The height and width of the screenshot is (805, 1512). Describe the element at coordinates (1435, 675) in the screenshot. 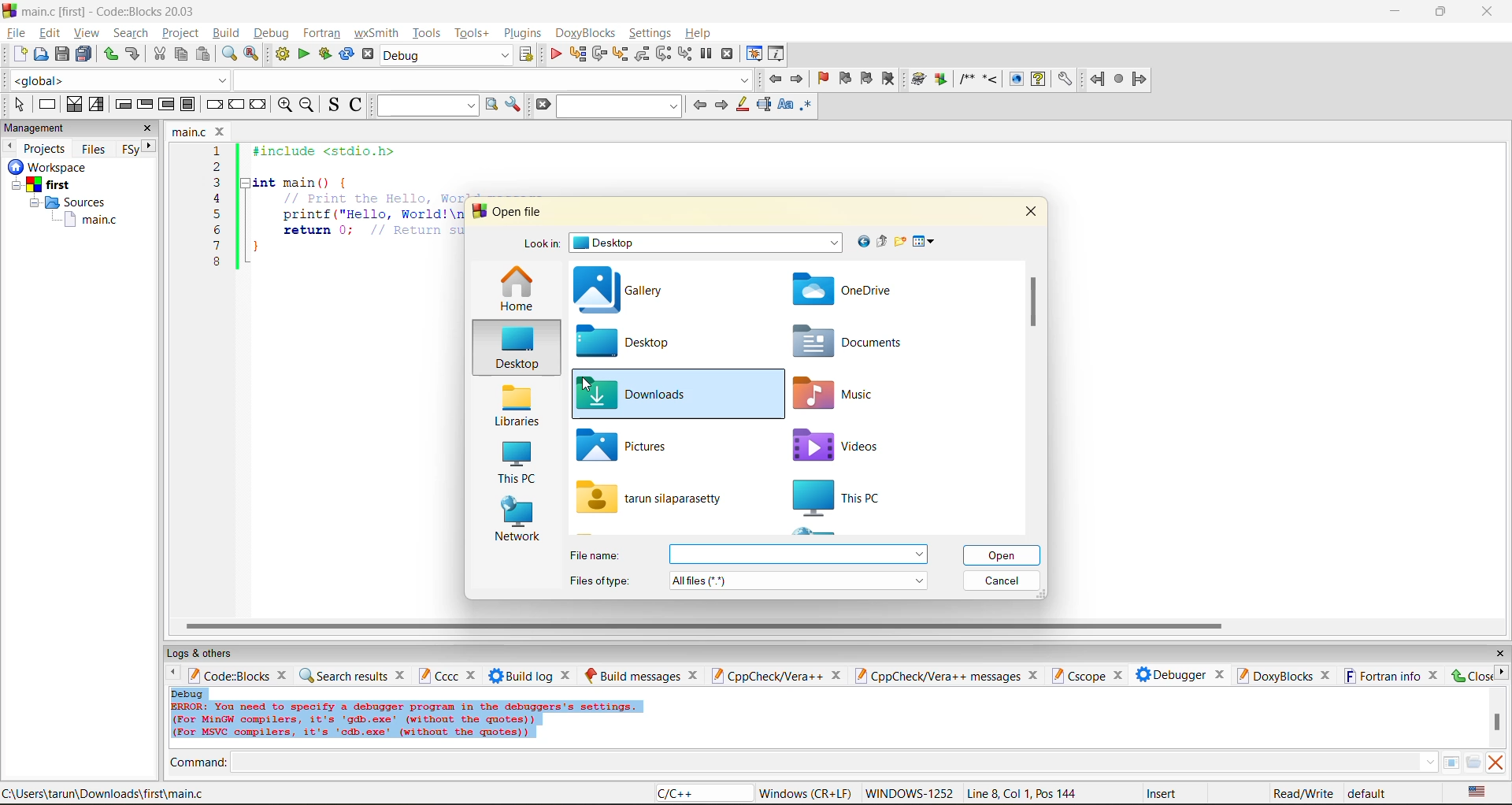

I see `close` at that location.